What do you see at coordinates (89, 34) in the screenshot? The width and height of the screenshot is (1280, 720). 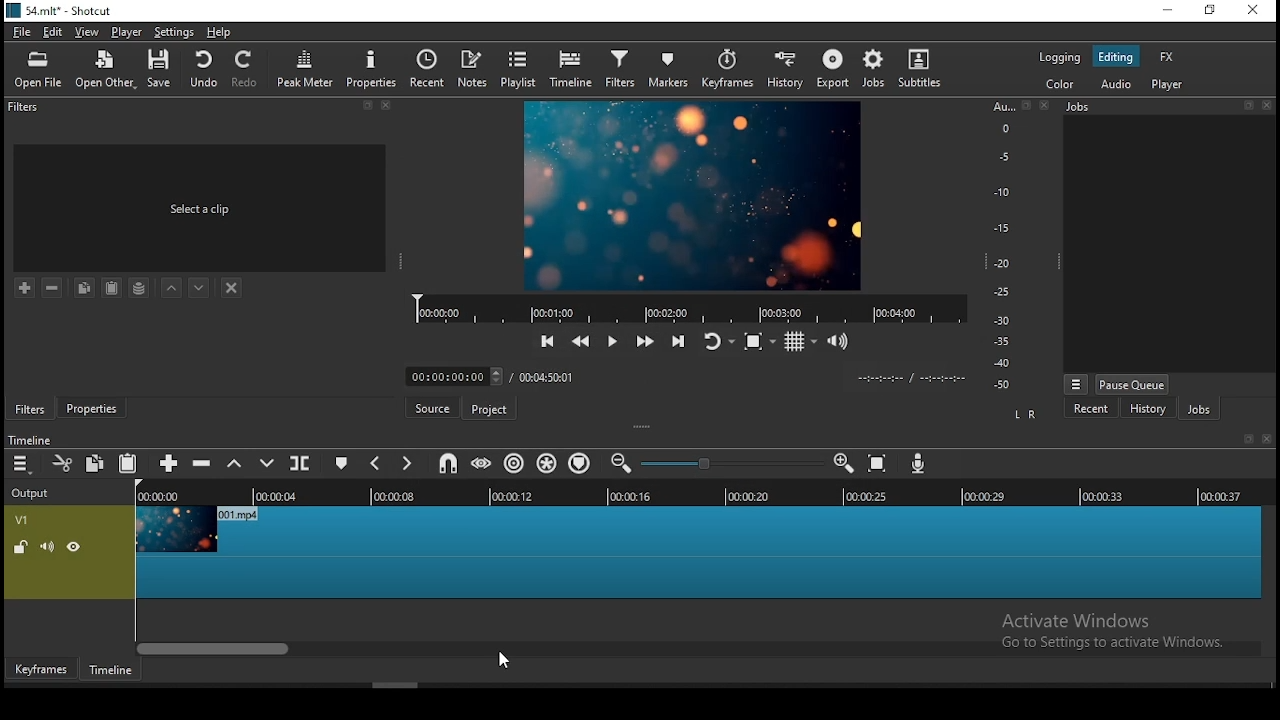 I see `view` at bounding box center [89, 34].